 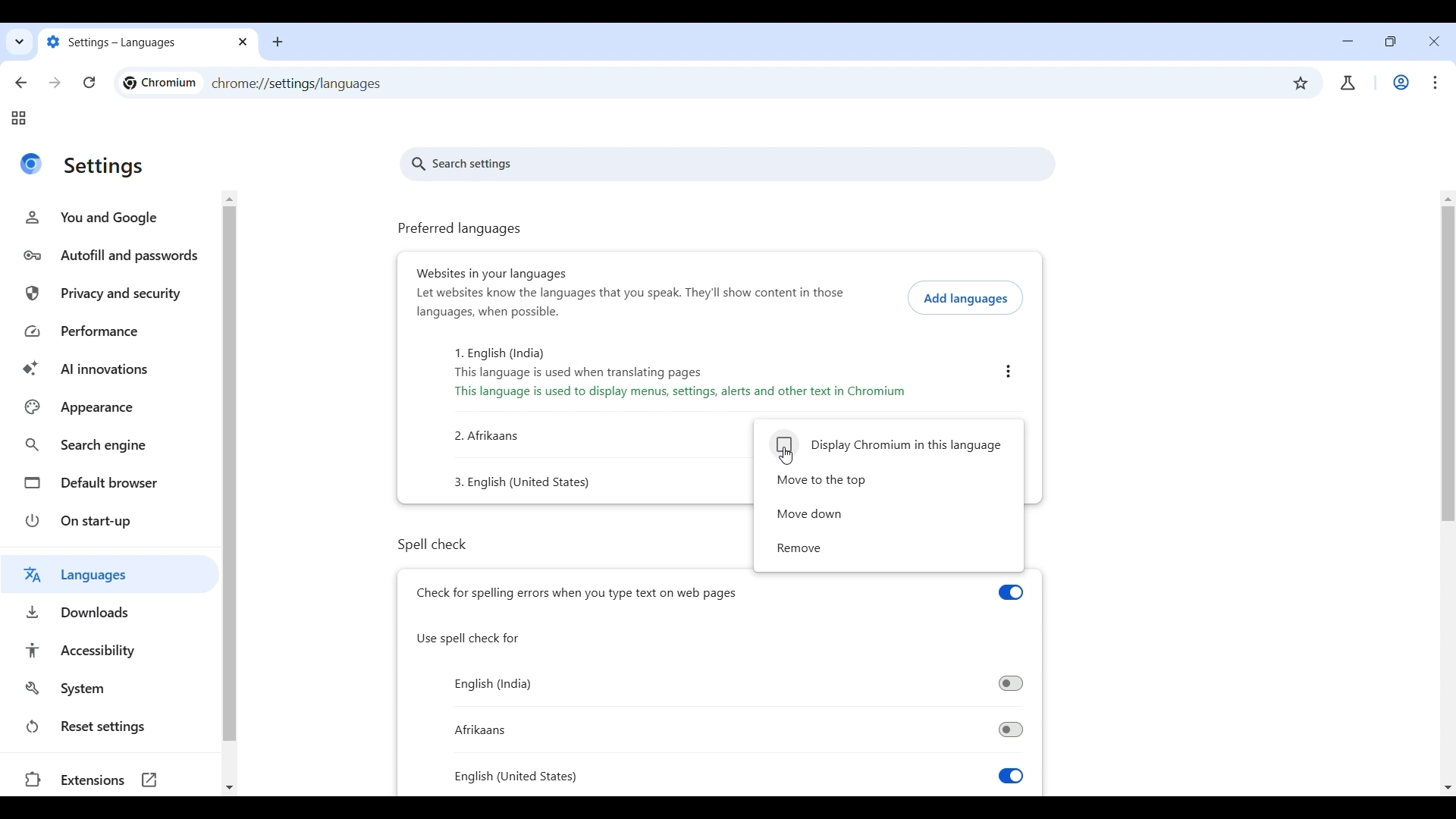 What do you see at coordinates (453, 543) in the screenshot?
I see `spell check` at bounding box center [453, 543].